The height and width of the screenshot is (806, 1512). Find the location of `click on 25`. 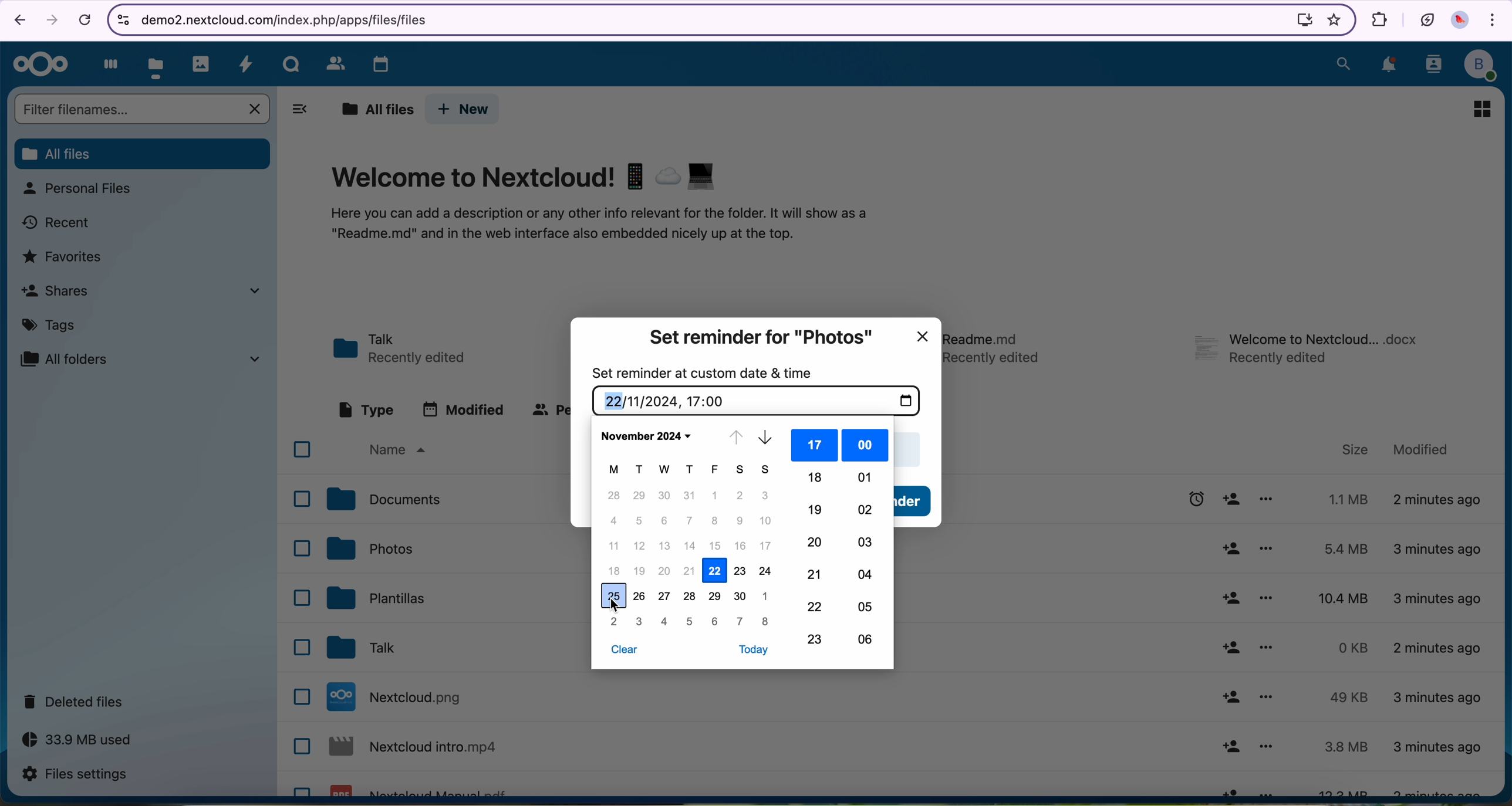

click on 25 is located at coordinates (615, 597).